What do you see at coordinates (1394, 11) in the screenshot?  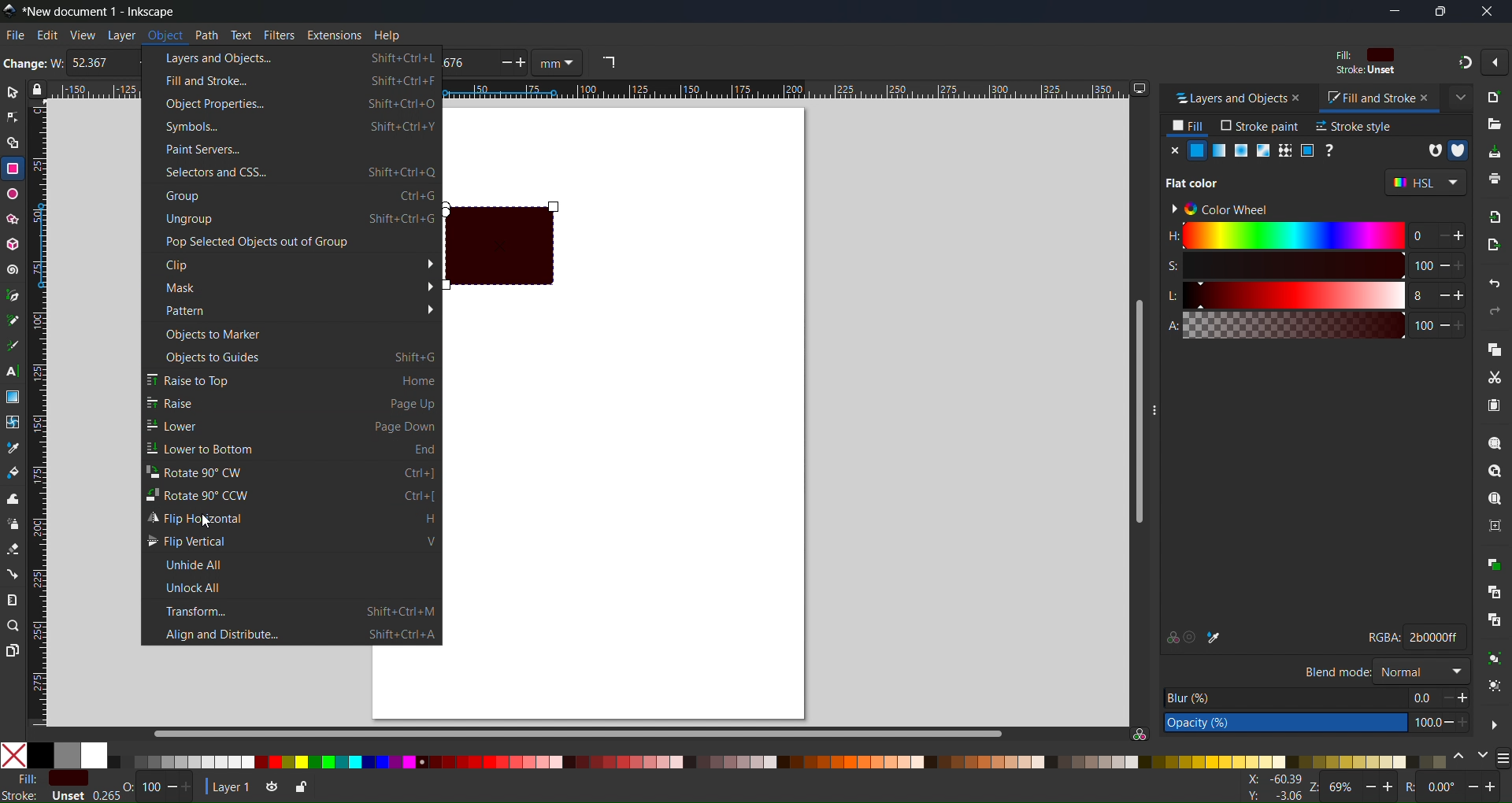 I see `Minimize` at bounding box center [1394, 11].